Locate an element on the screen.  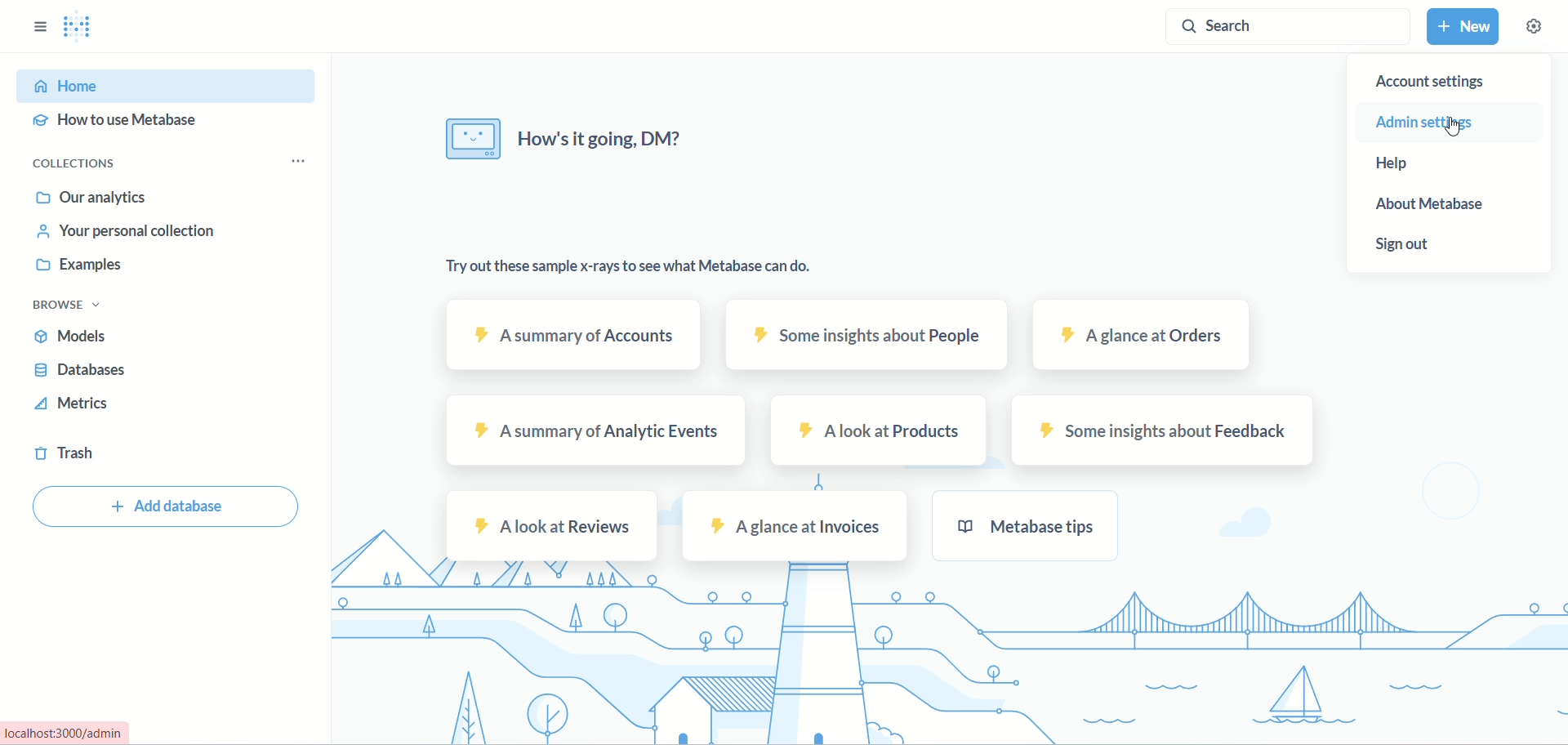
database is located at coordinates (82, 372).